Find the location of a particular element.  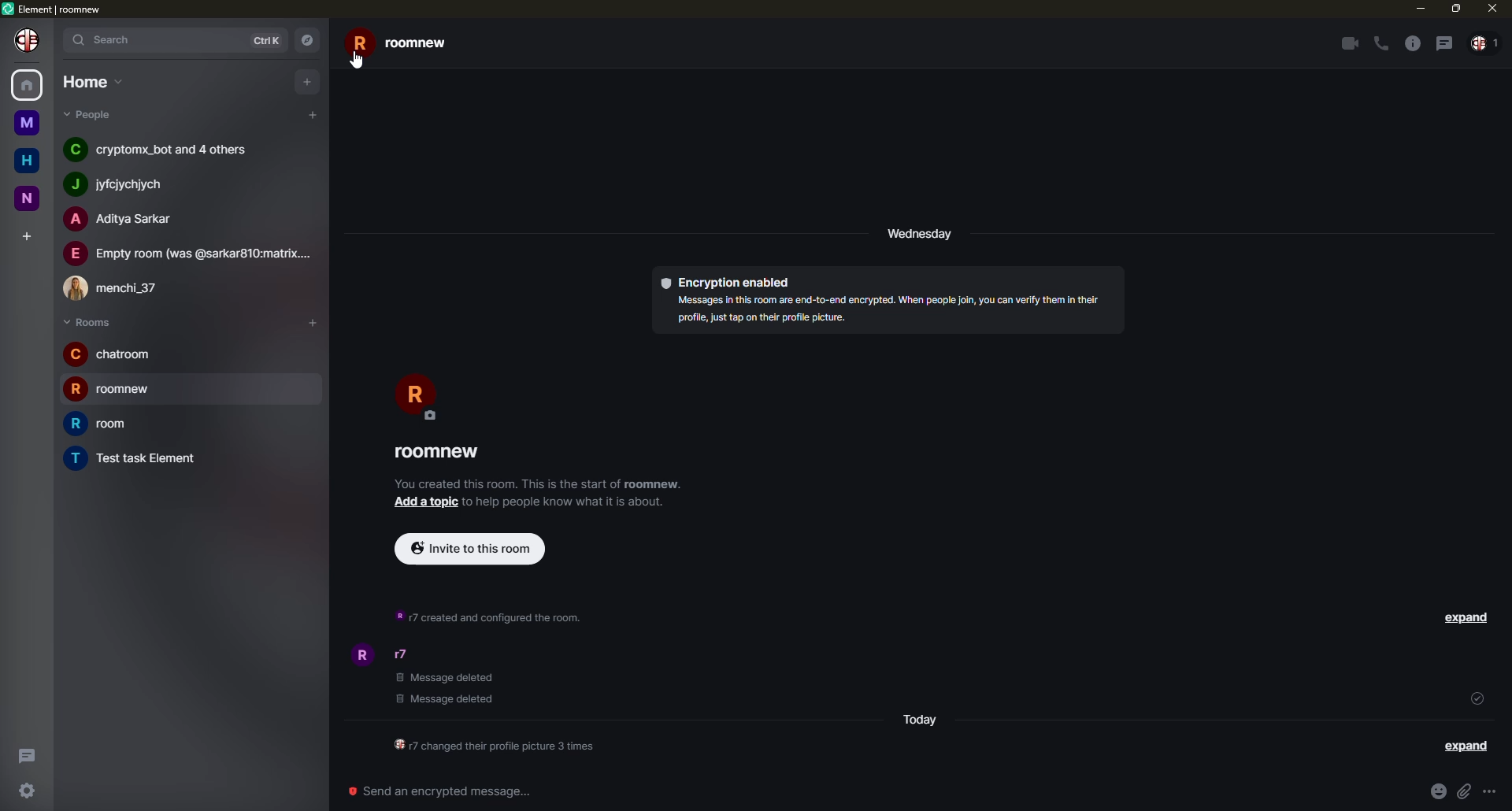

add is located at coordinates (313, 114).